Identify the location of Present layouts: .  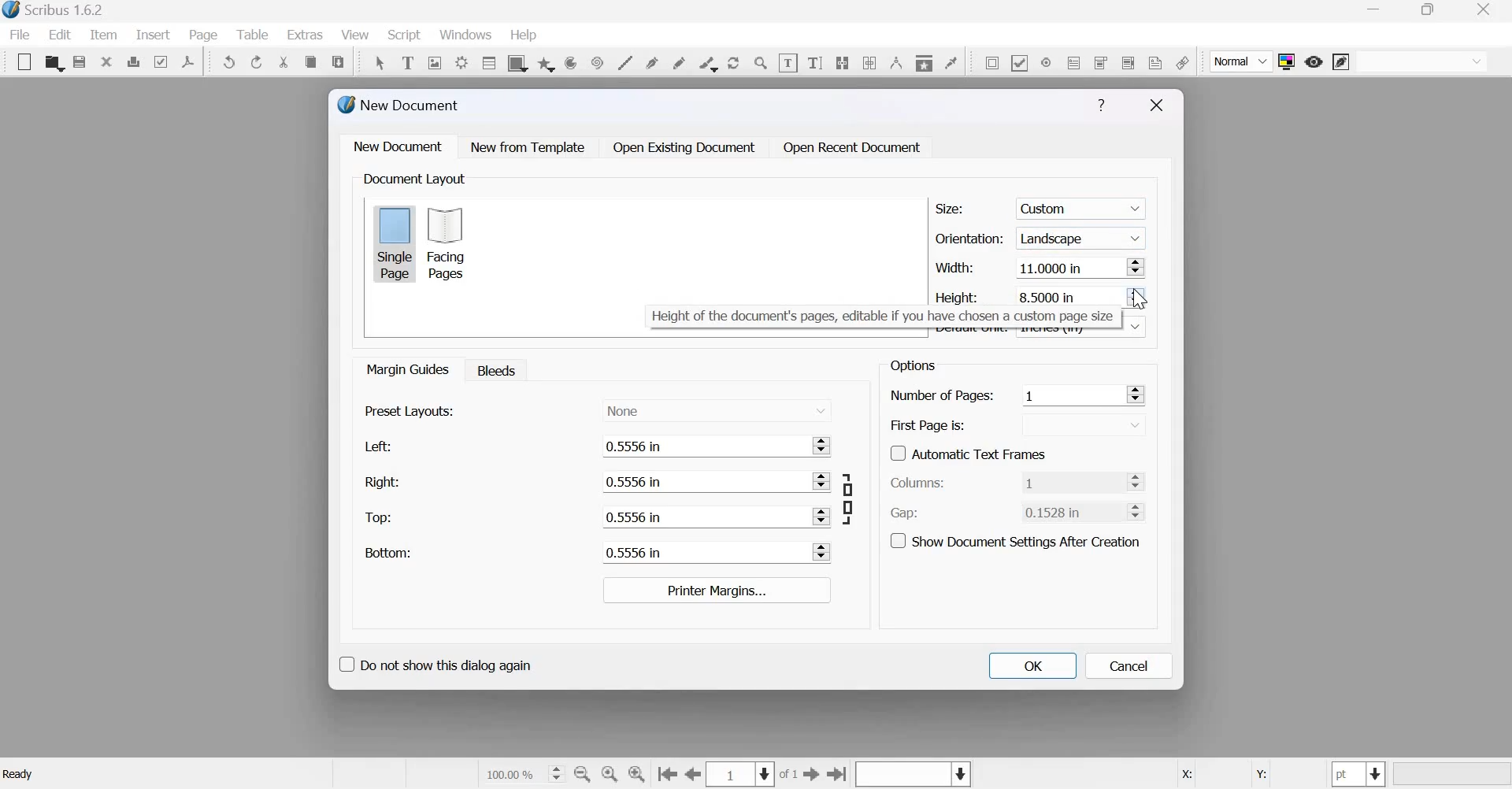
(410, 410).